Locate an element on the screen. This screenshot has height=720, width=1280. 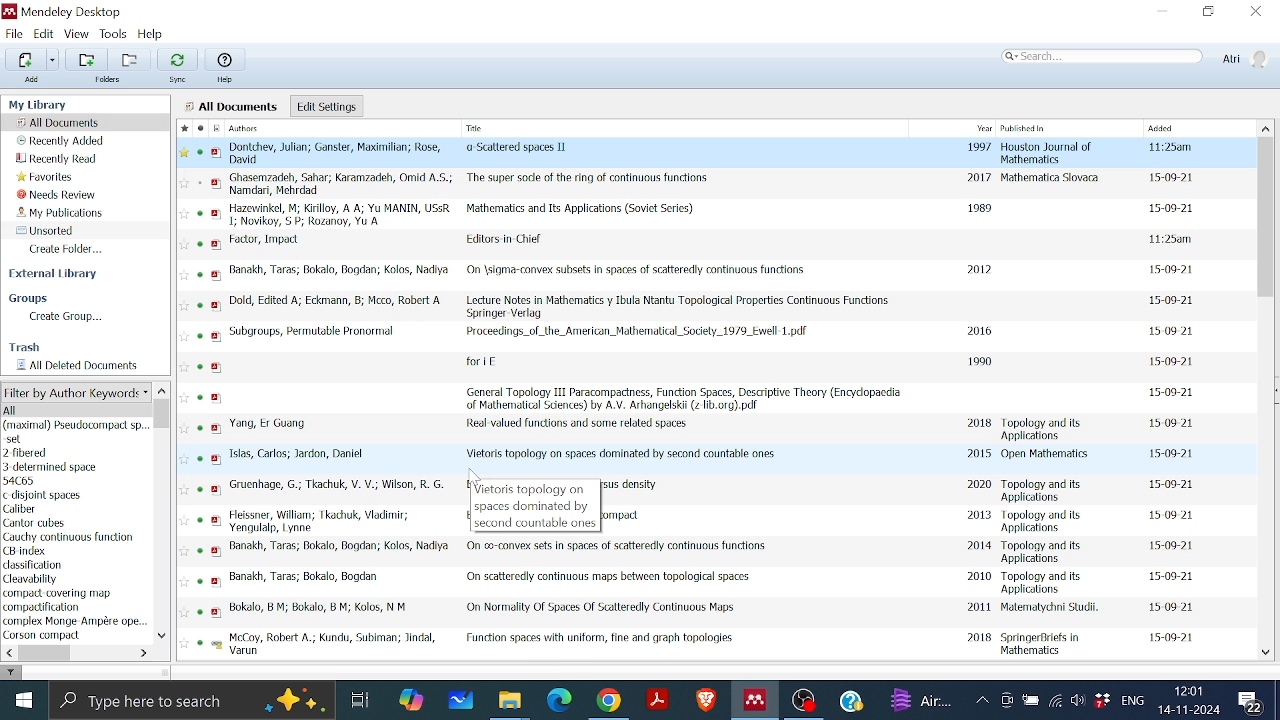
Vertical scrollbar for filter by author keyword is located at coordinates (163, 415).